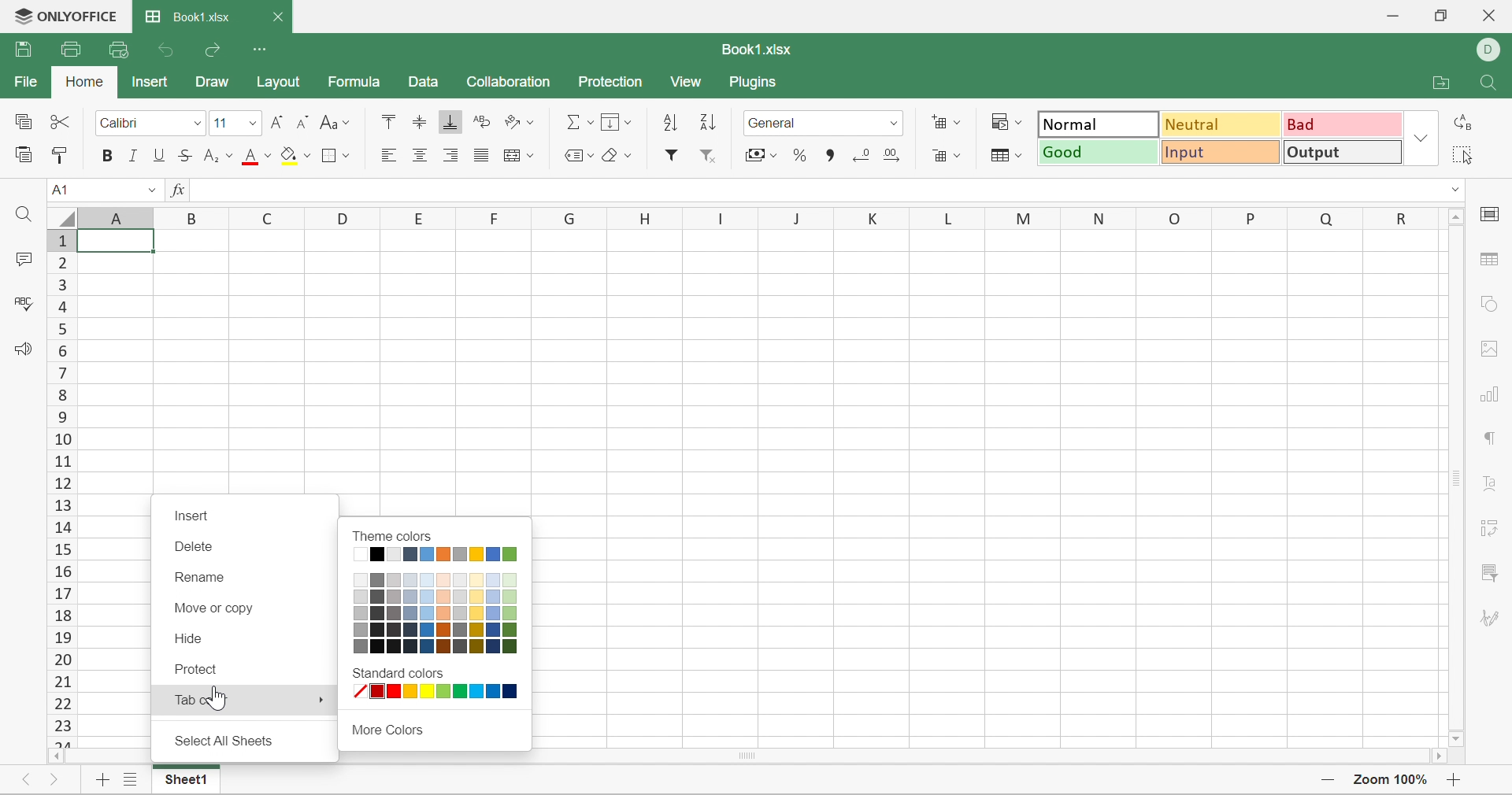  I want to click on Named ranges, so click(573, 153).